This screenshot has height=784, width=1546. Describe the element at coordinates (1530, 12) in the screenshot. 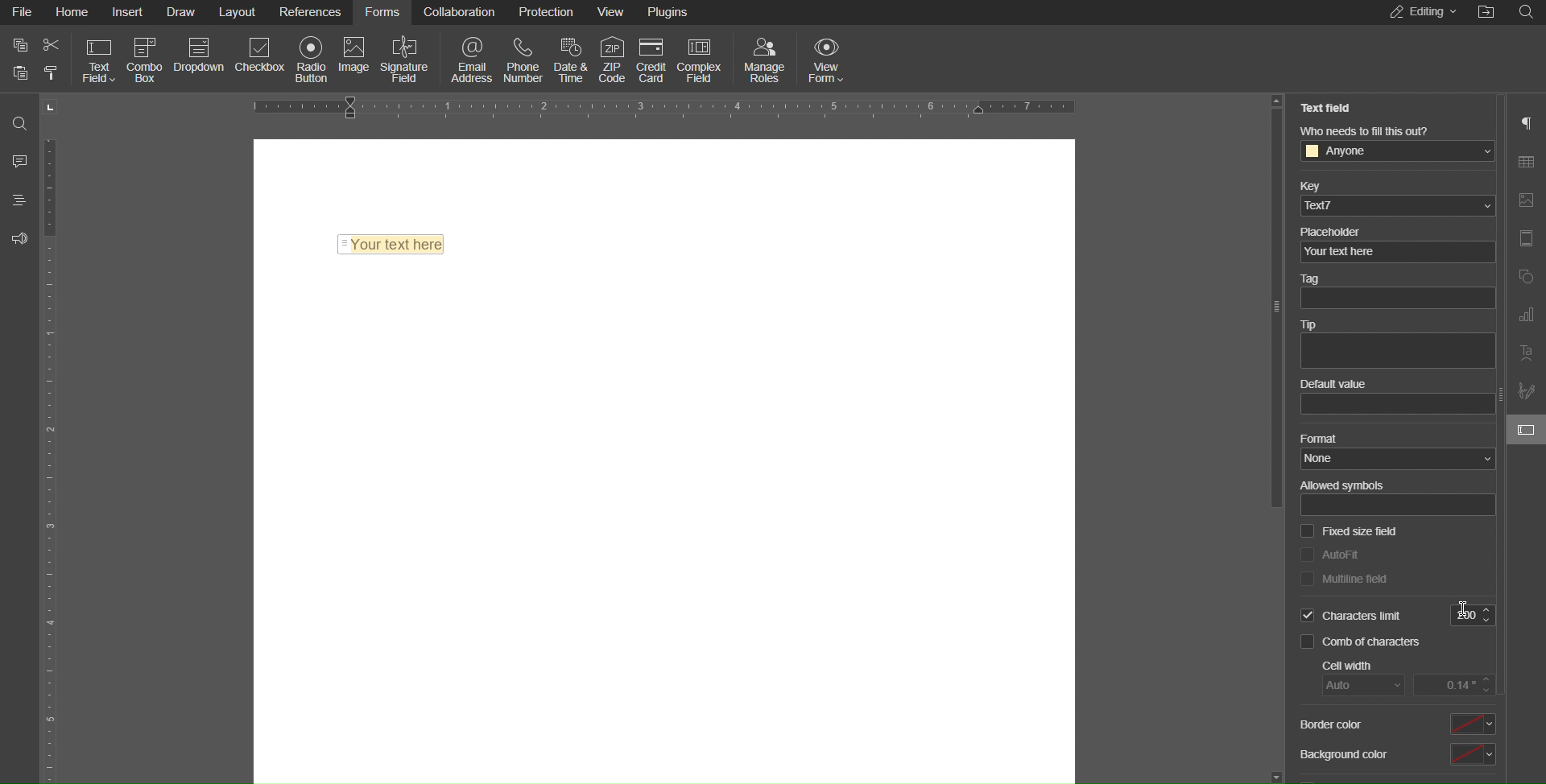

I see `Search` at that location.